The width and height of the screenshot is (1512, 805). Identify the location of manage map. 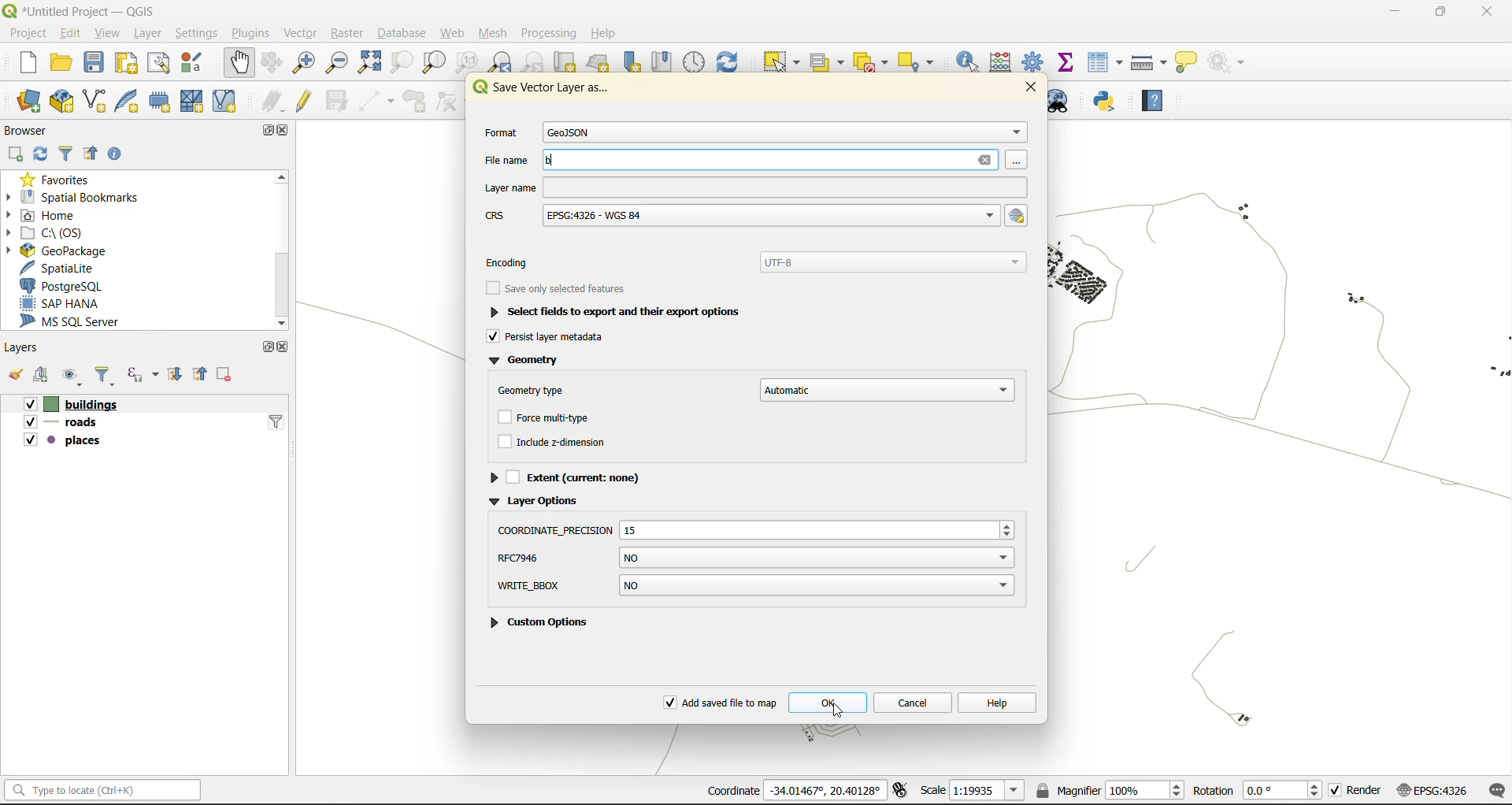
(69, 377).